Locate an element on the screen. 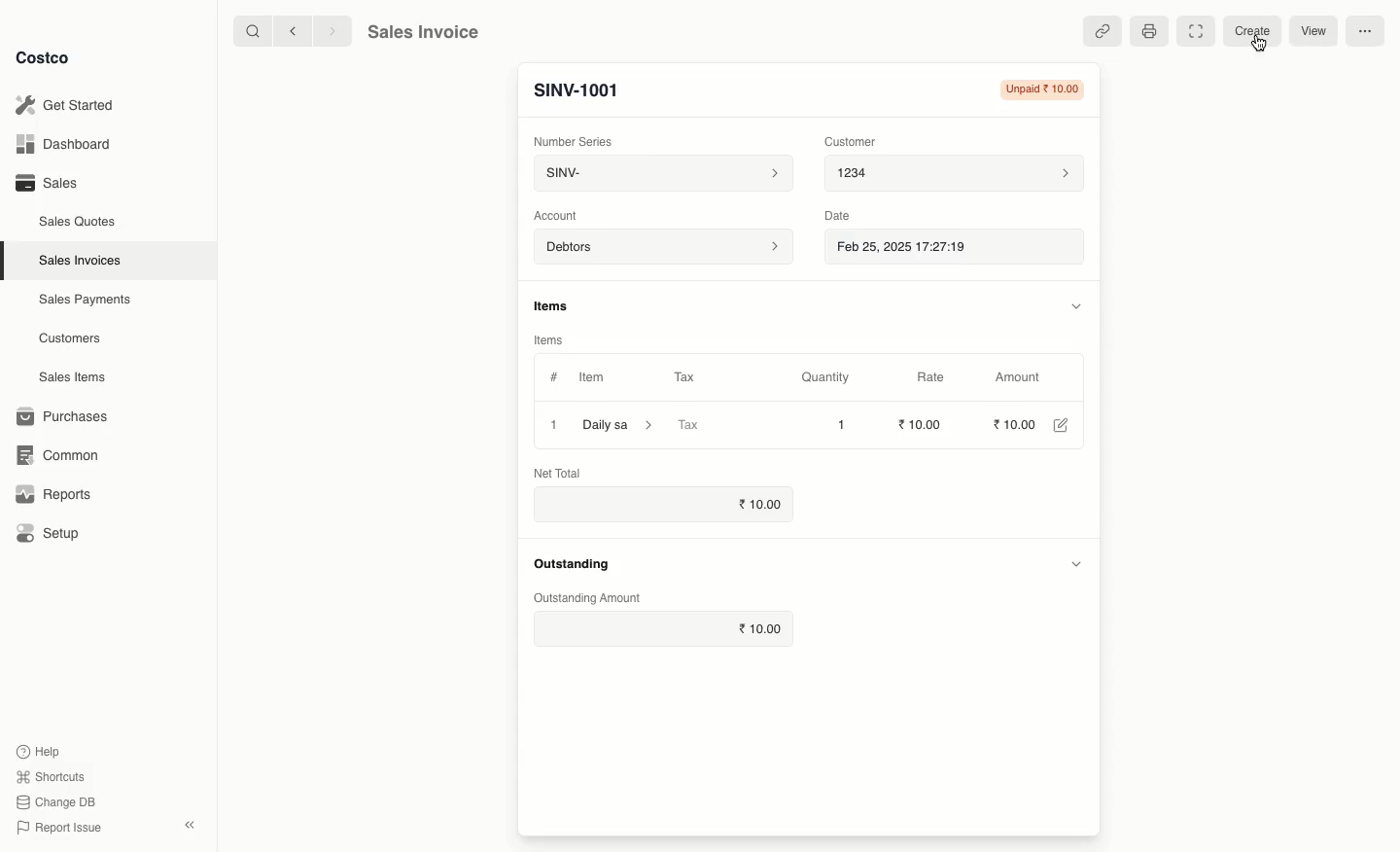  1 Purchases is located at coordinates (67, 417).